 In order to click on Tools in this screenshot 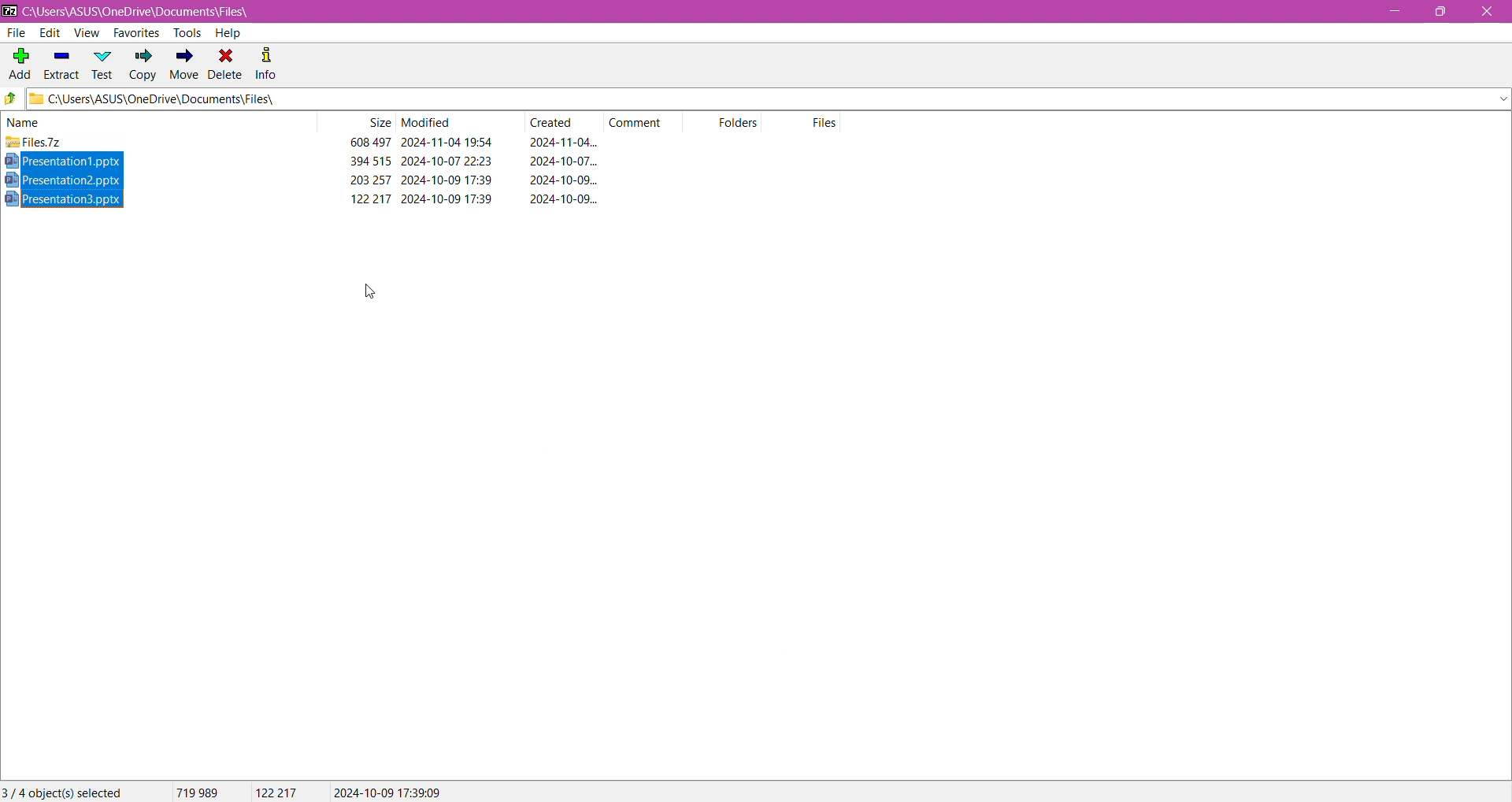, I will do `click(185, 32)`.